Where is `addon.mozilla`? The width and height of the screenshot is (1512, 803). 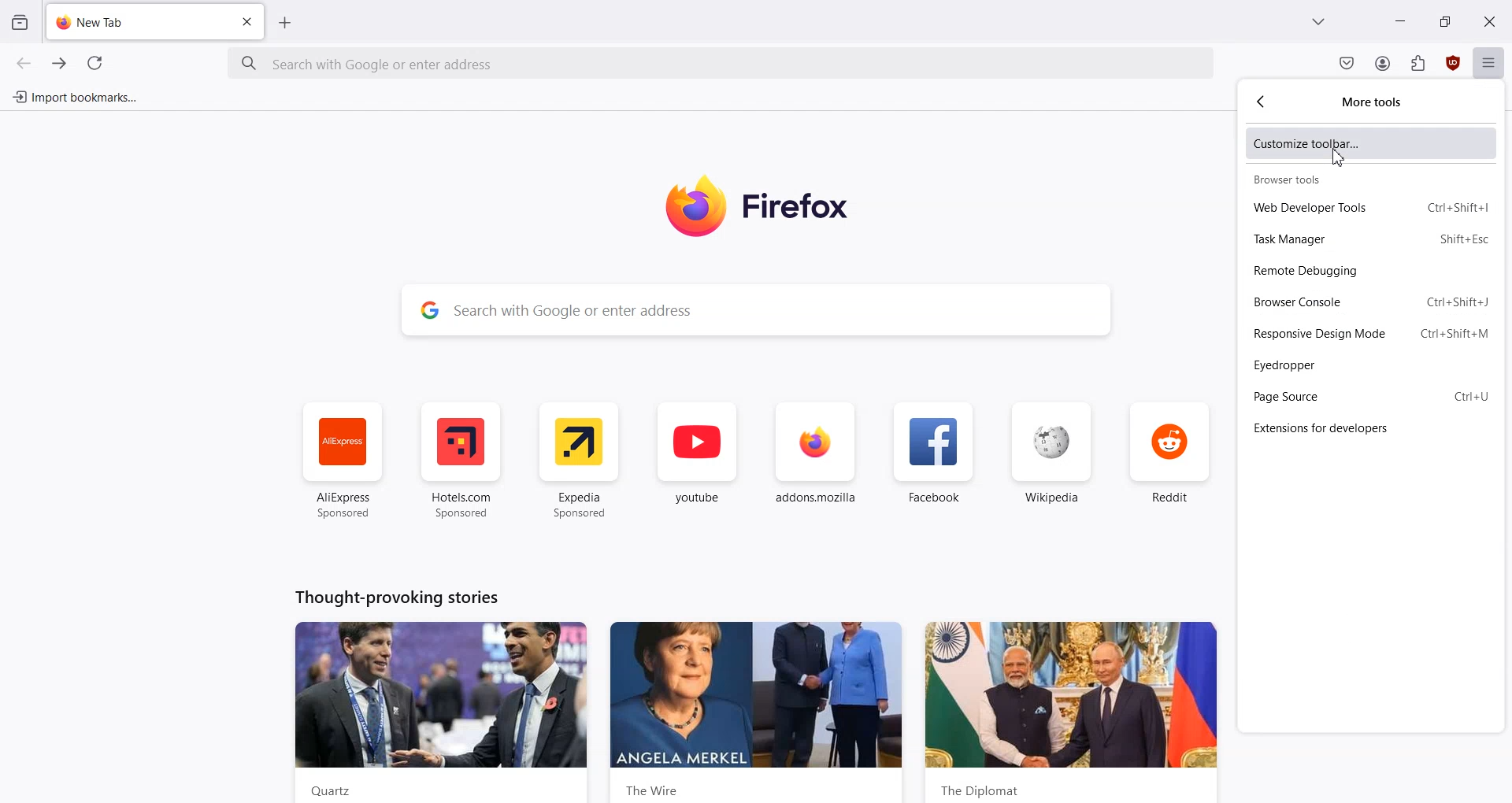 addon.mozilla is located at coordinates (816, 461).